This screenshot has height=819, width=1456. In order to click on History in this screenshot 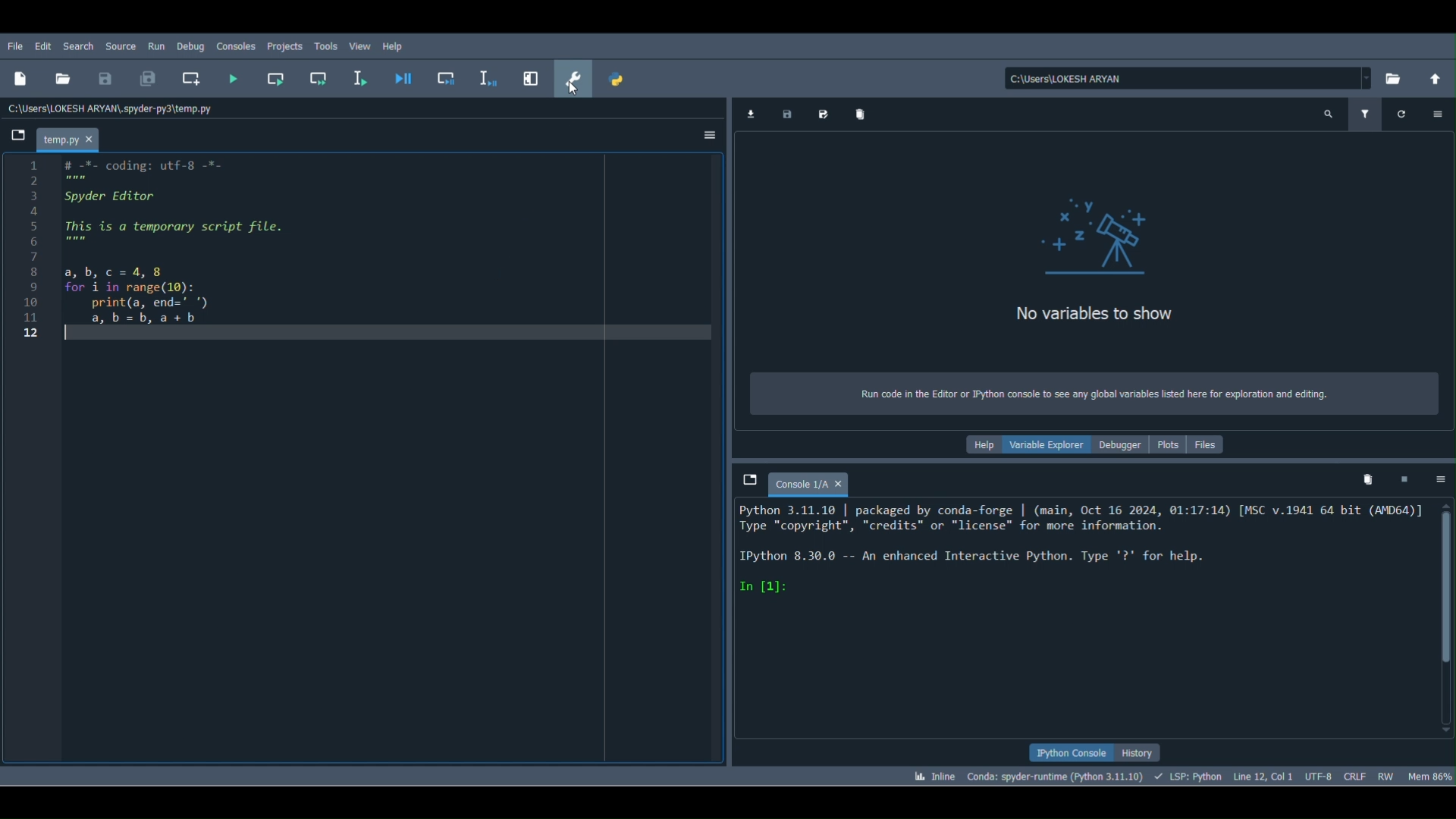, I will do `click(1144, 748)`.